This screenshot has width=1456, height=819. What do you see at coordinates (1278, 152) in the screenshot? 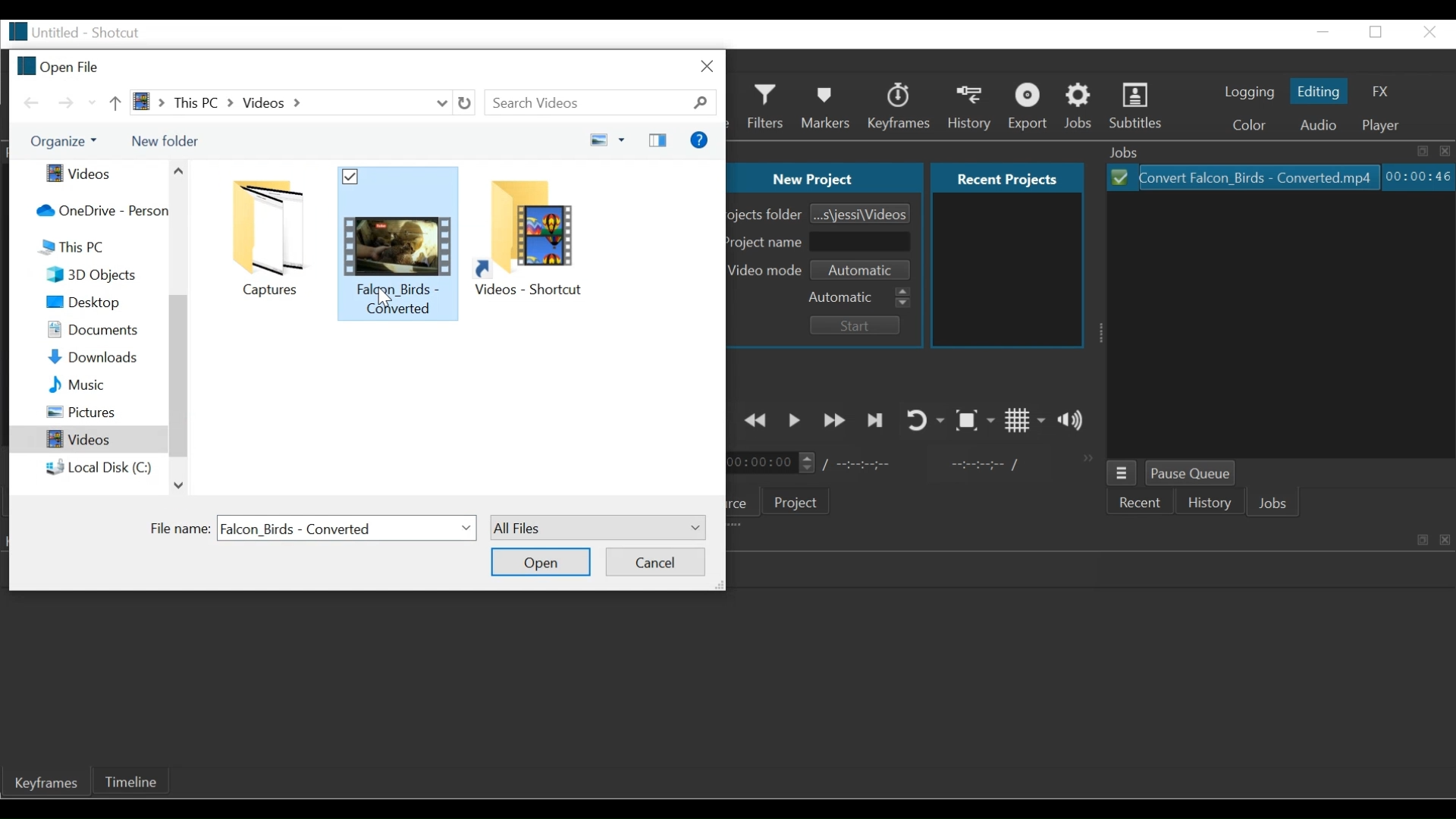
I see `Jobs` at bounding box center [1278, 152].